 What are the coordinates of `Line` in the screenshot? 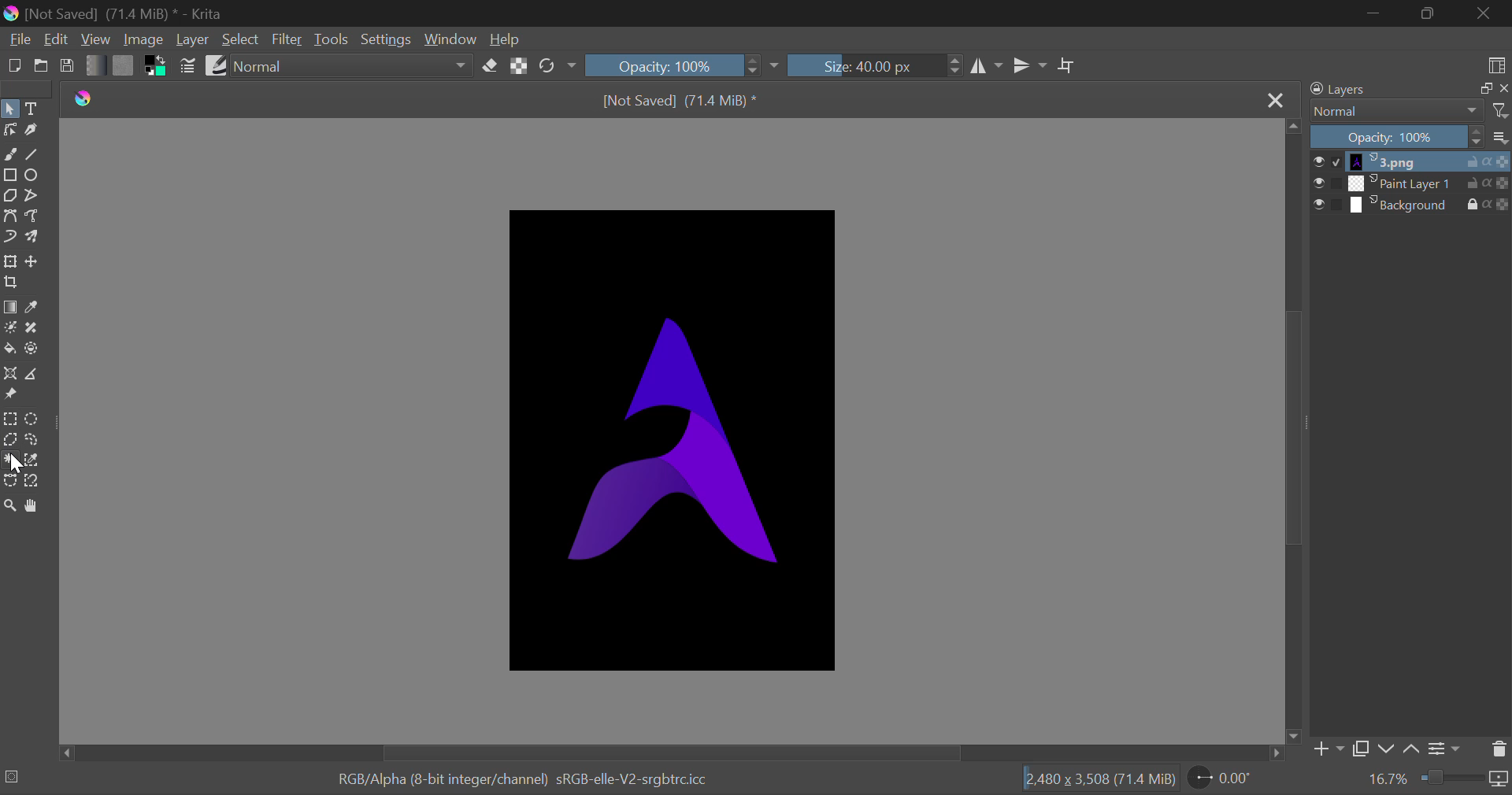 It's located at (34, 155).